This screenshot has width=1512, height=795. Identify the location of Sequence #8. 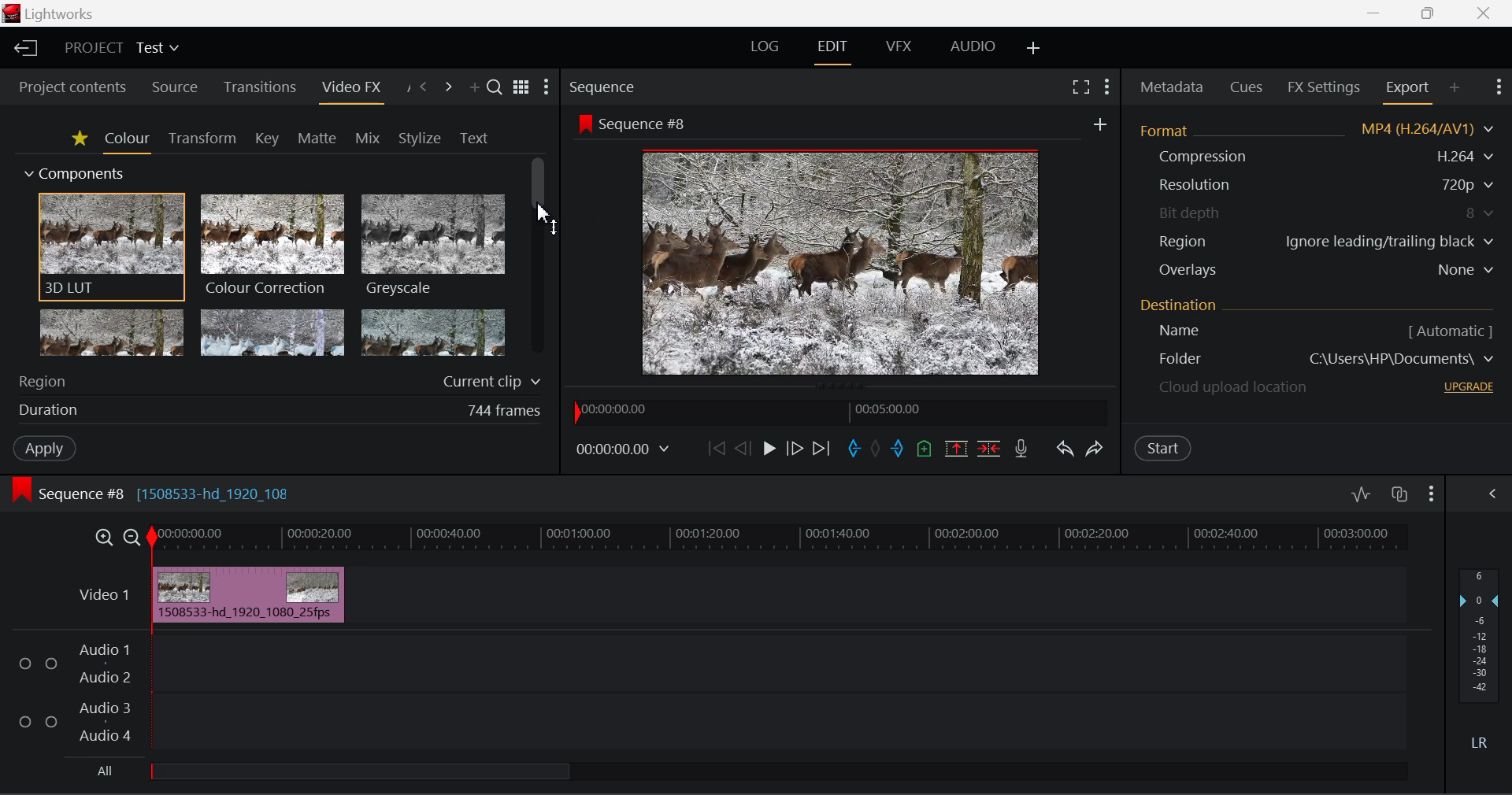
(649, 125).